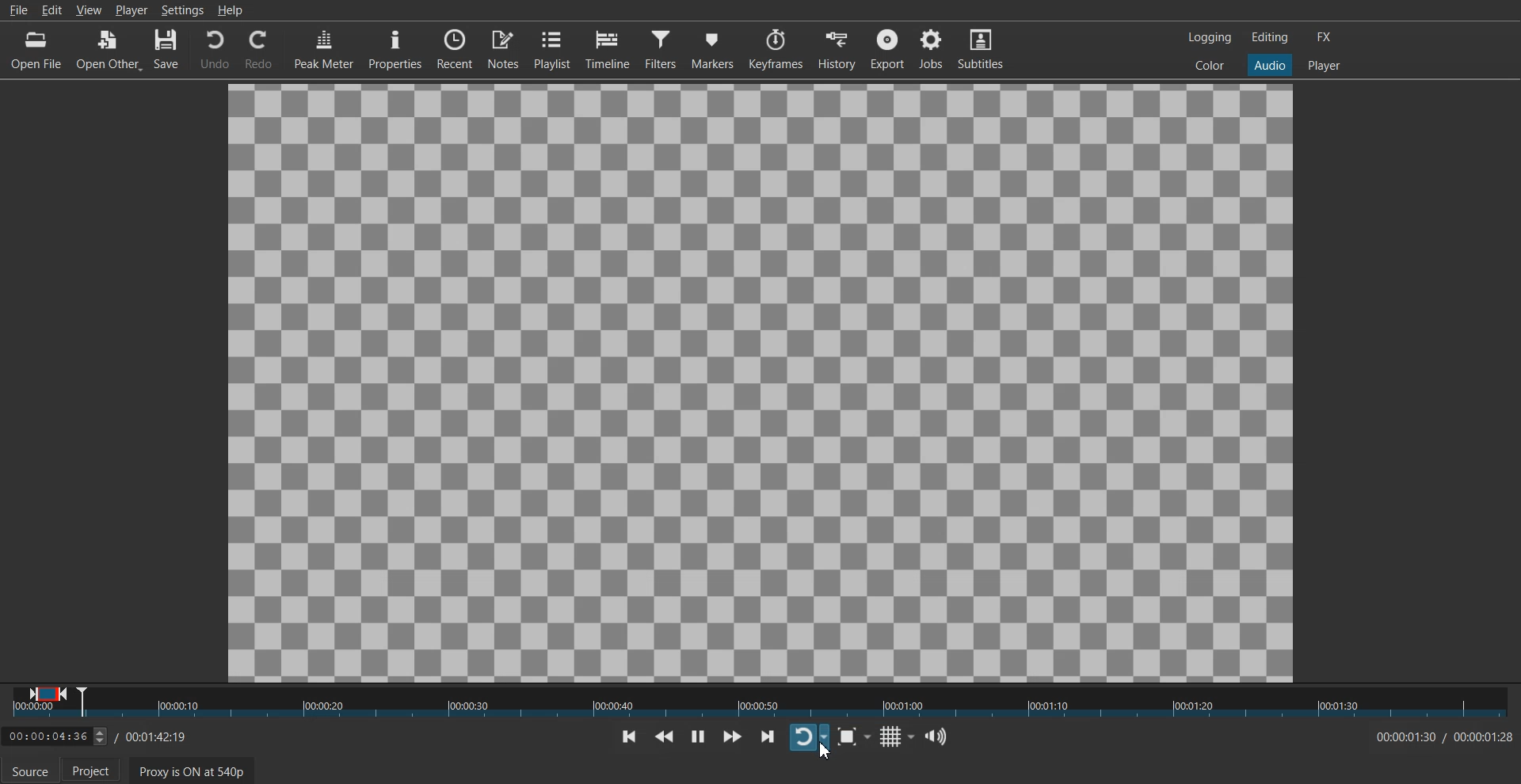 The height and width of the screenshot is (784, 1521). I want to click on Show the volume control, so click(937, 736).